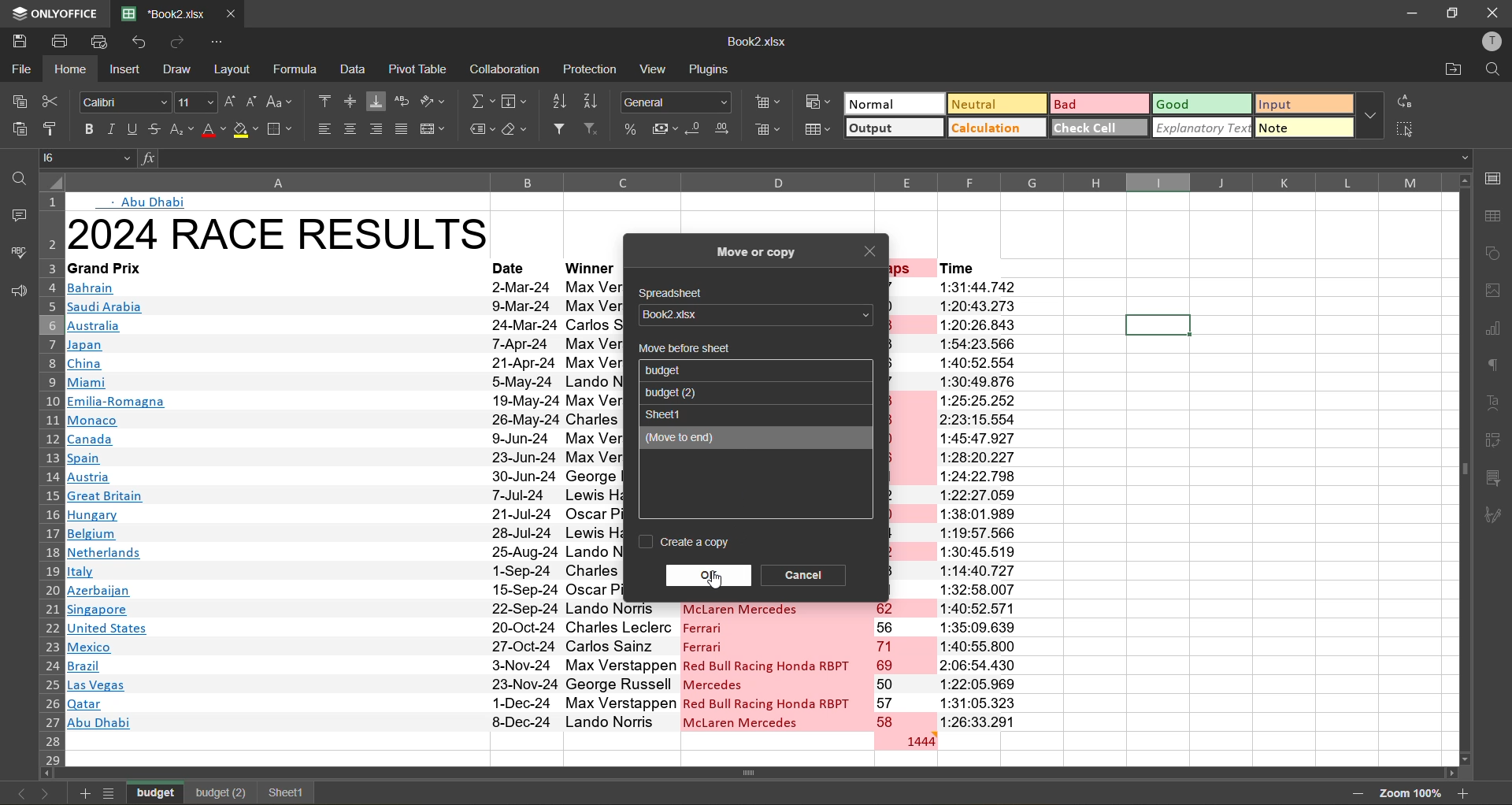 The image size is (1512, 805). Describe the element at coordinates (1464, 792) in the screenshot. I see `zoom in` at that location.